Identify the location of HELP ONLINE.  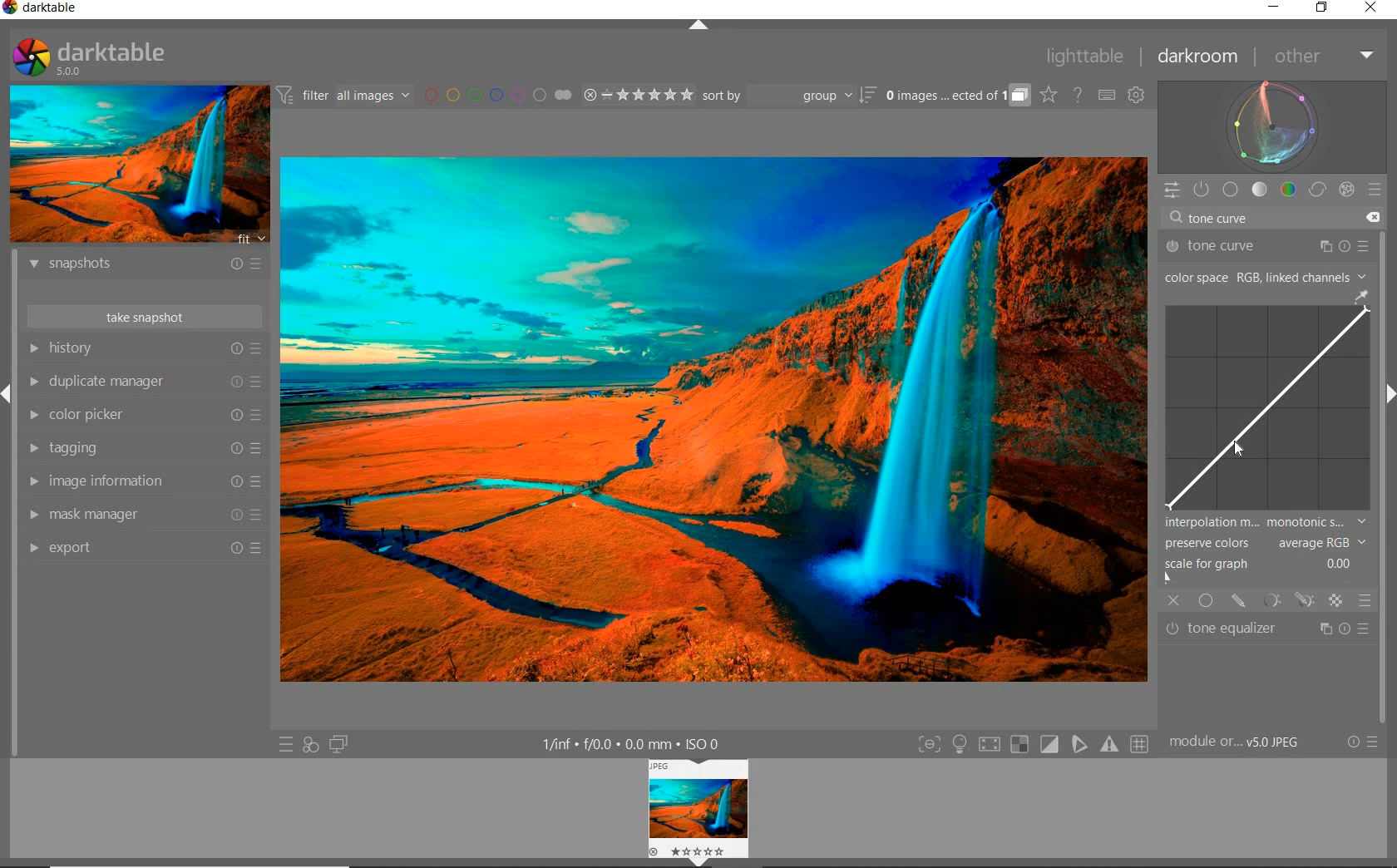
(1078, 95).